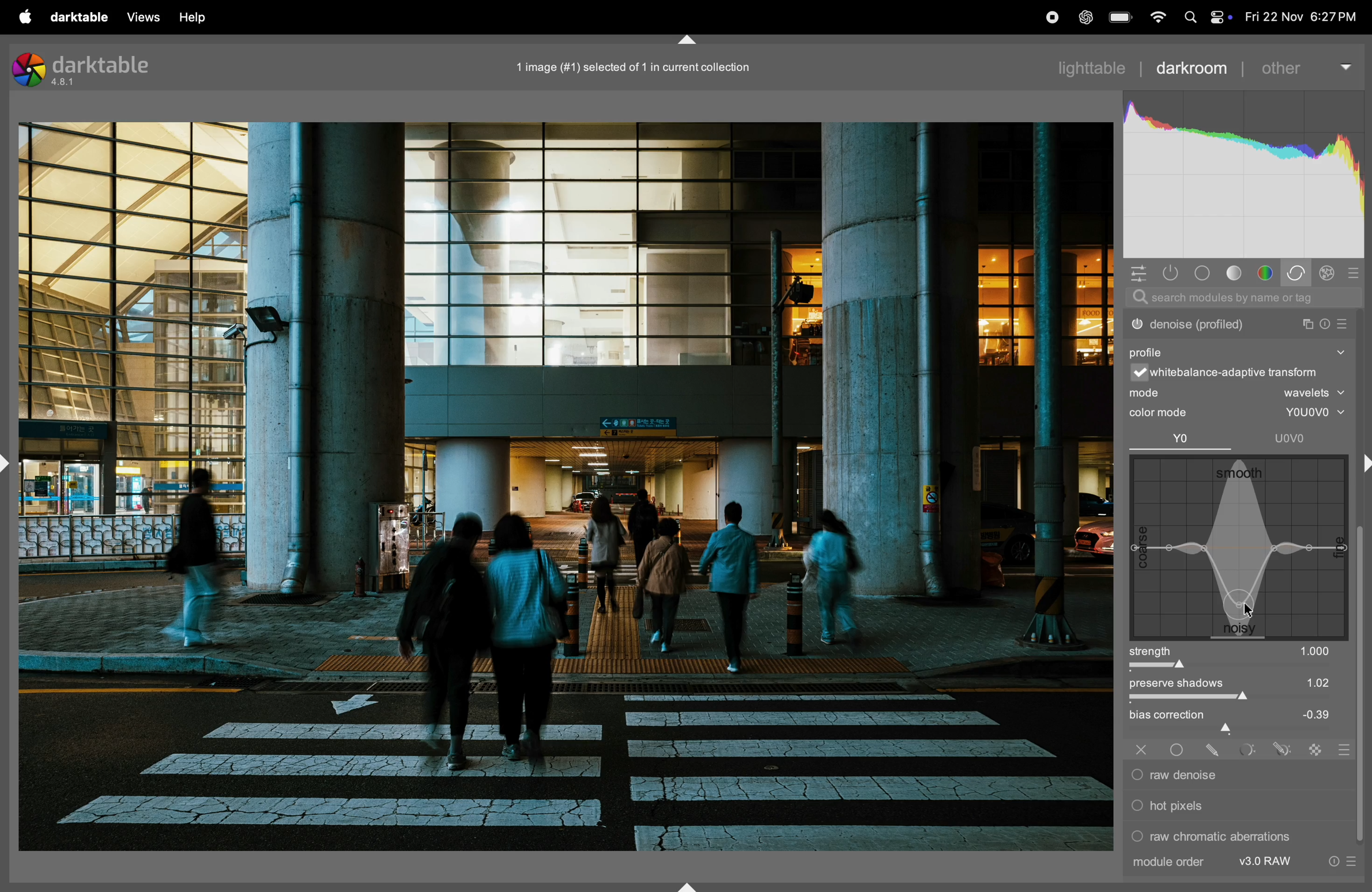 This screenshot has width=1372, height=892. I want to click on views, so click(144, 17).